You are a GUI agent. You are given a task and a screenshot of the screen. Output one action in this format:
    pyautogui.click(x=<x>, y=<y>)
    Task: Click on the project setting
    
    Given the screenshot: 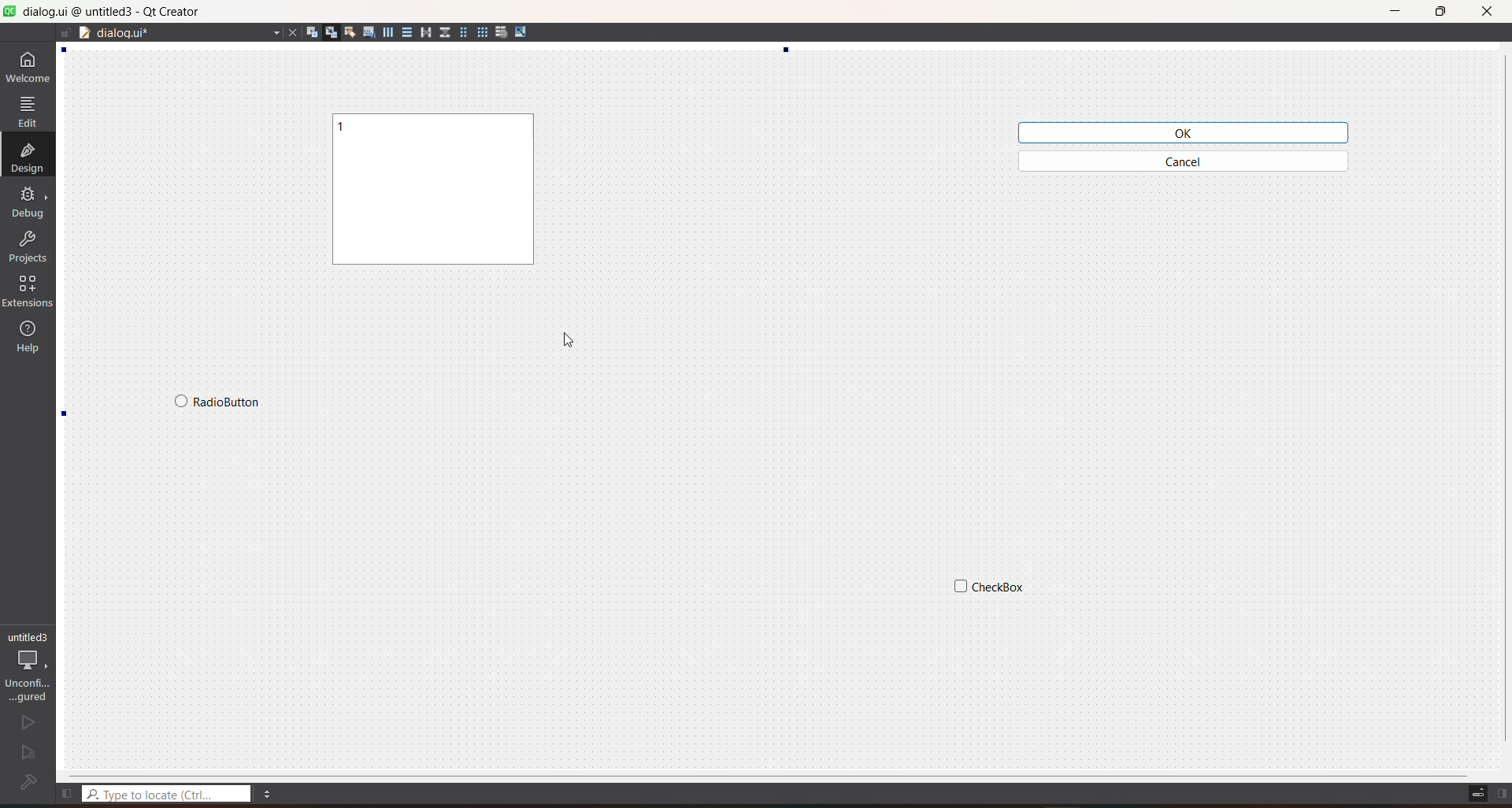 What is the action you would take?
    pyautogui.click(x=30, y=665)
    